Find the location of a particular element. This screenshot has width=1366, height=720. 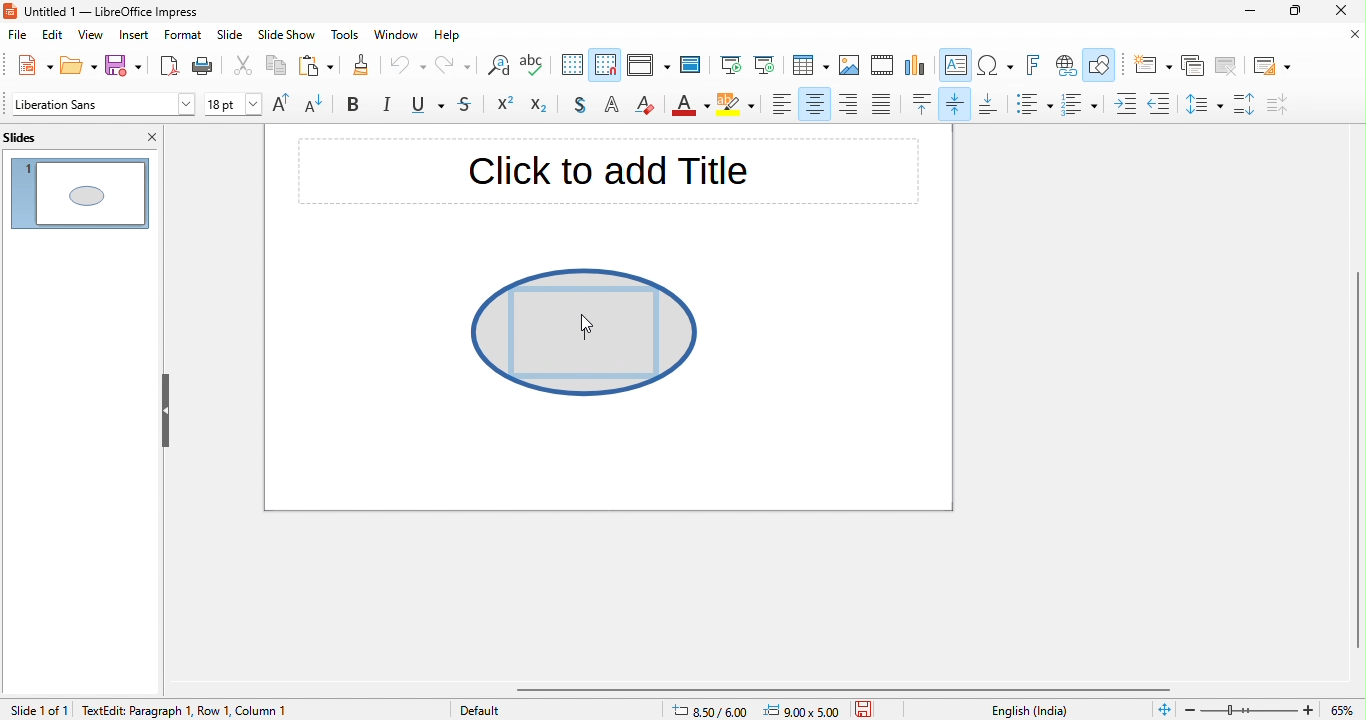

justified is located at coordinates (883, 105).